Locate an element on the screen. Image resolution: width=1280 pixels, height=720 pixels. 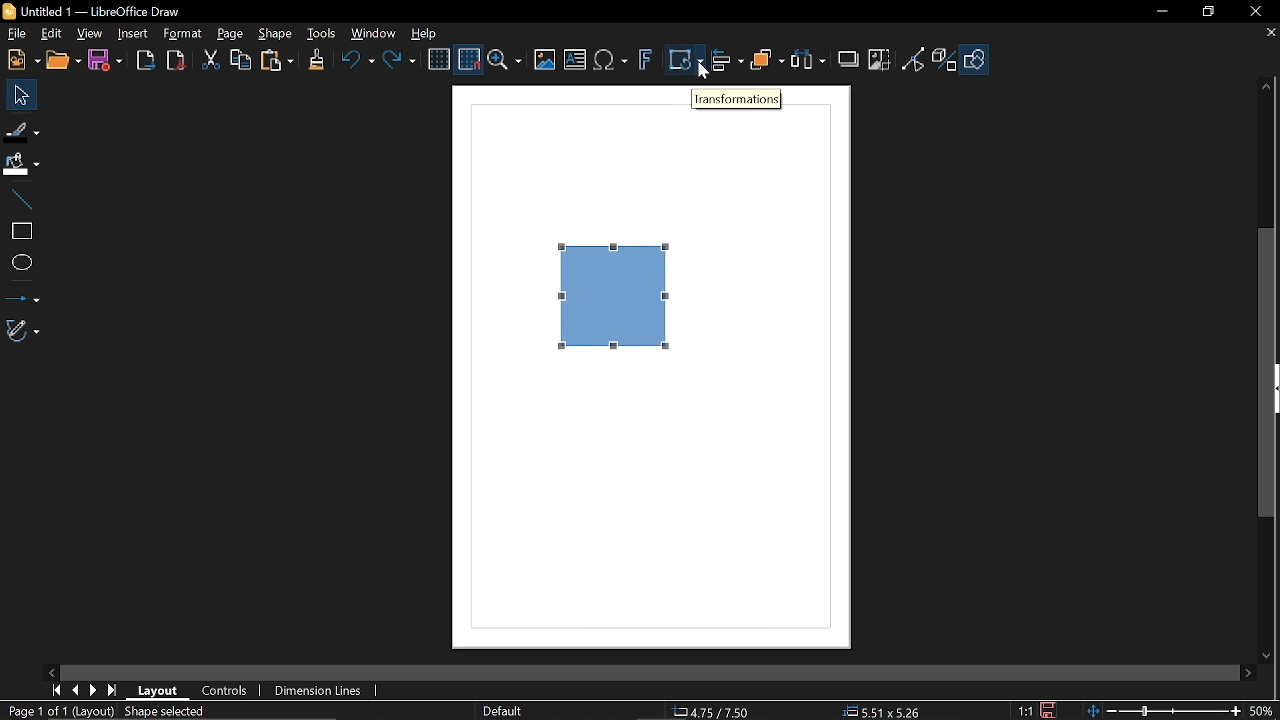
Save is located at coordinates (1046, 710).